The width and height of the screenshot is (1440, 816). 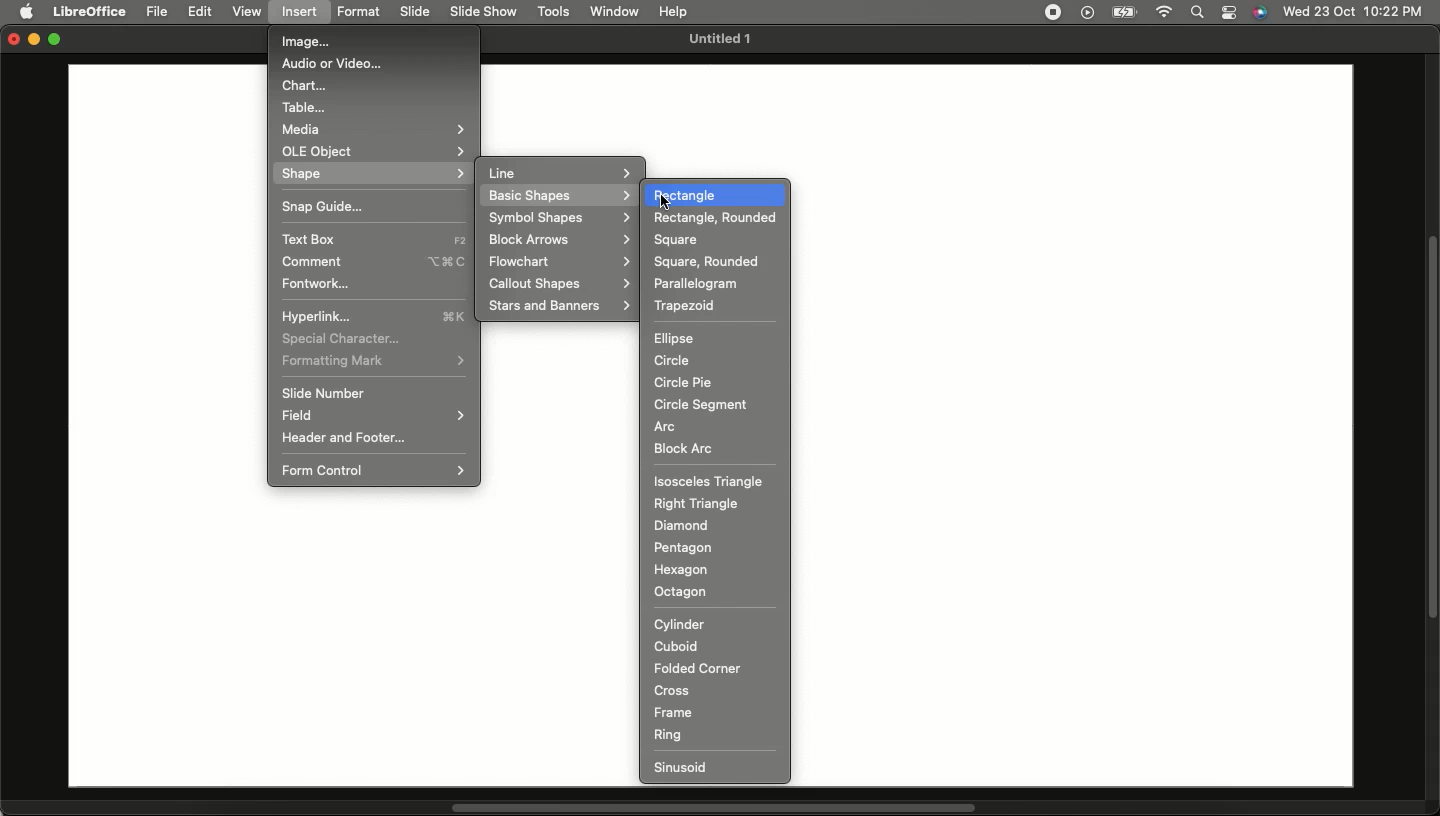 What do you see at coordinates (374, 416) in the screenshot?
I see `Field` at bounding box center [374, 416].